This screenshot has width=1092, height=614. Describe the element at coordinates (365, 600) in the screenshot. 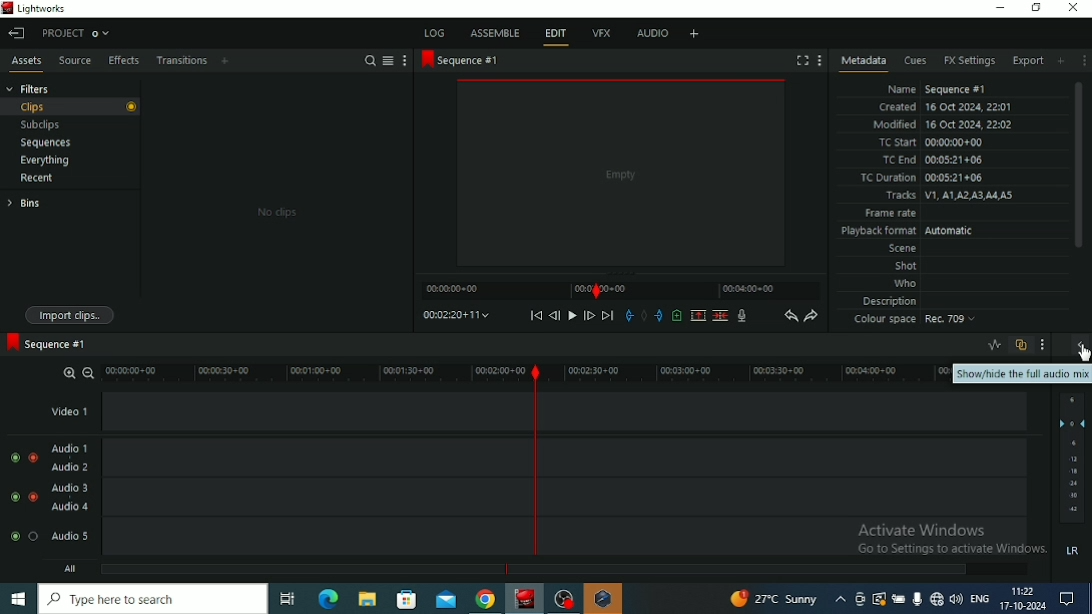

I see `File Explorer` at that location.